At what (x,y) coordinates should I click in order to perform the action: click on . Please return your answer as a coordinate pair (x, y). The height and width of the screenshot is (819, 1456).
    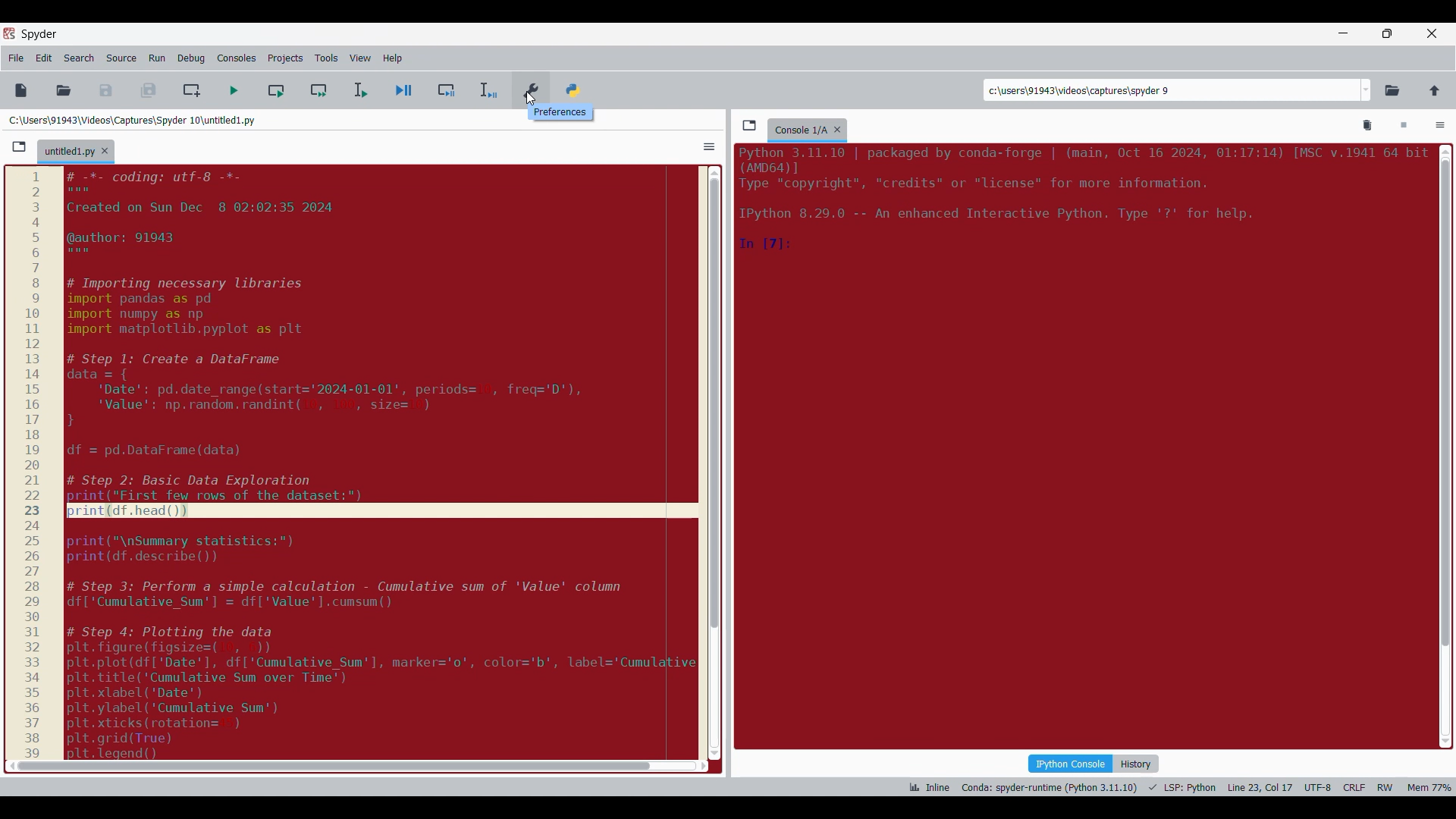
    Looking at the image, I should click on (529, 102).